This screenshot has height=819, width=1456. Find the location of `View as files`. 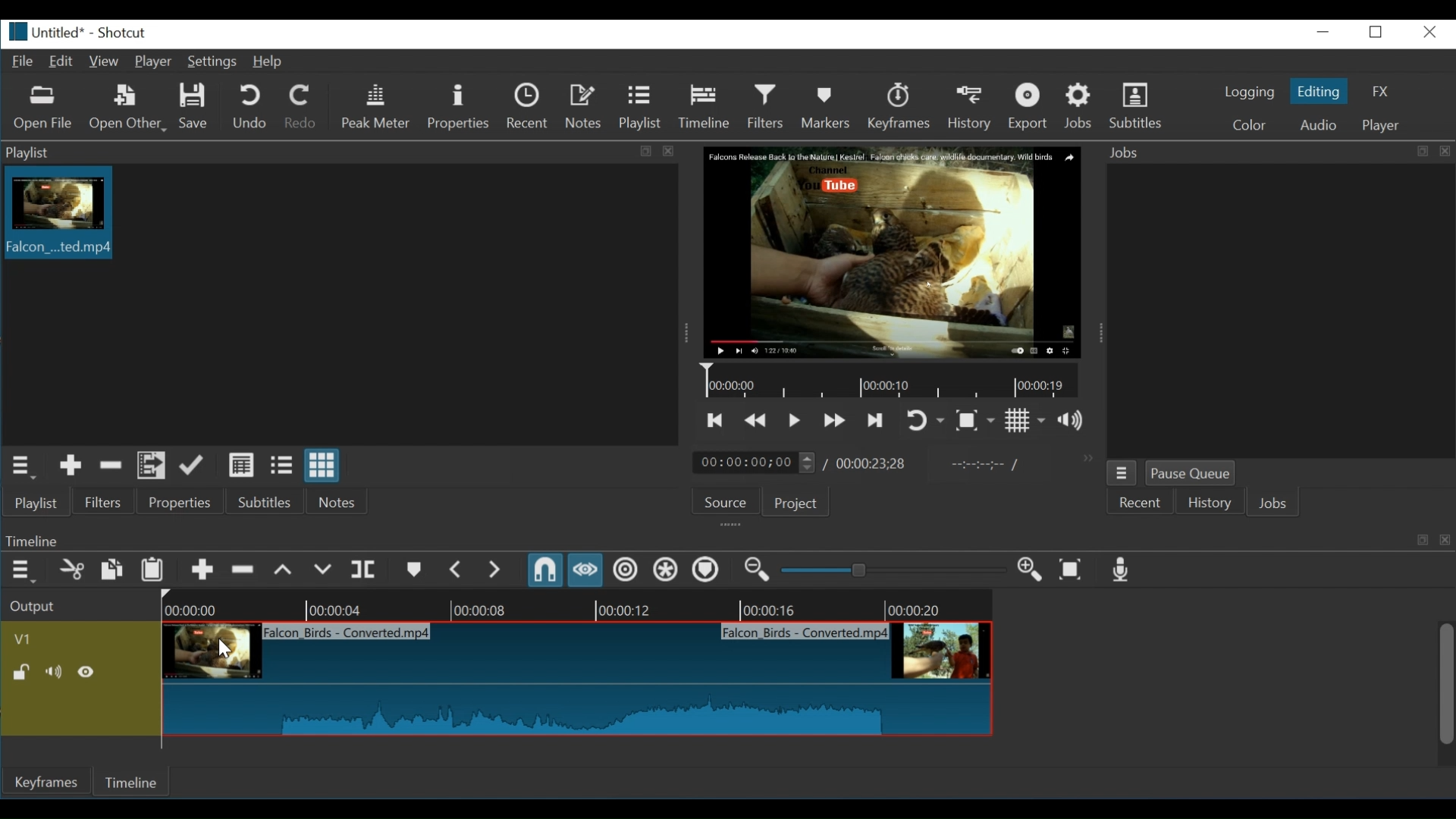

View as files is located at coordinates (281, 466).